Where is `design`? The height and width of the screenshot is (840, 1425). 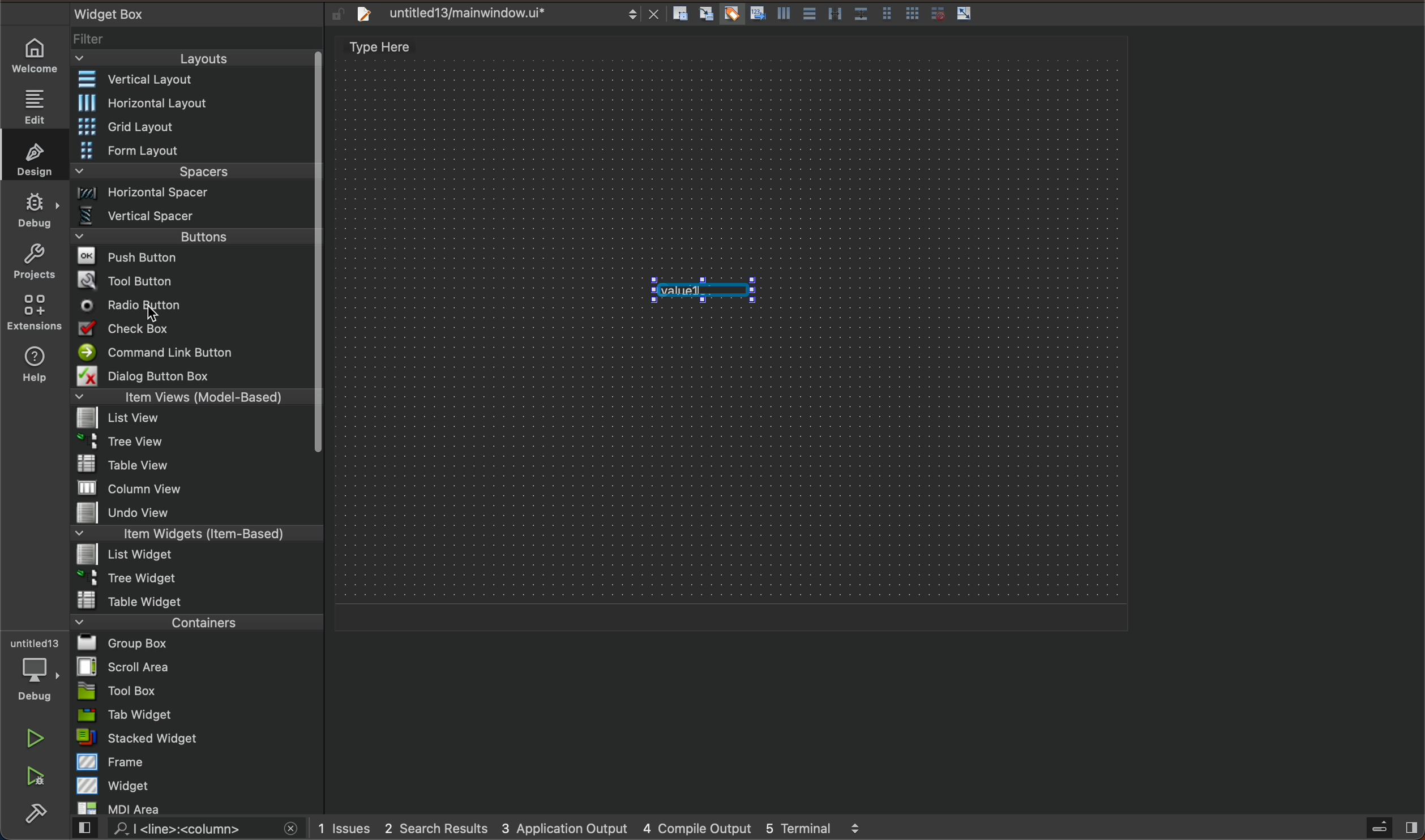 design is located at coordinates (31, 155).